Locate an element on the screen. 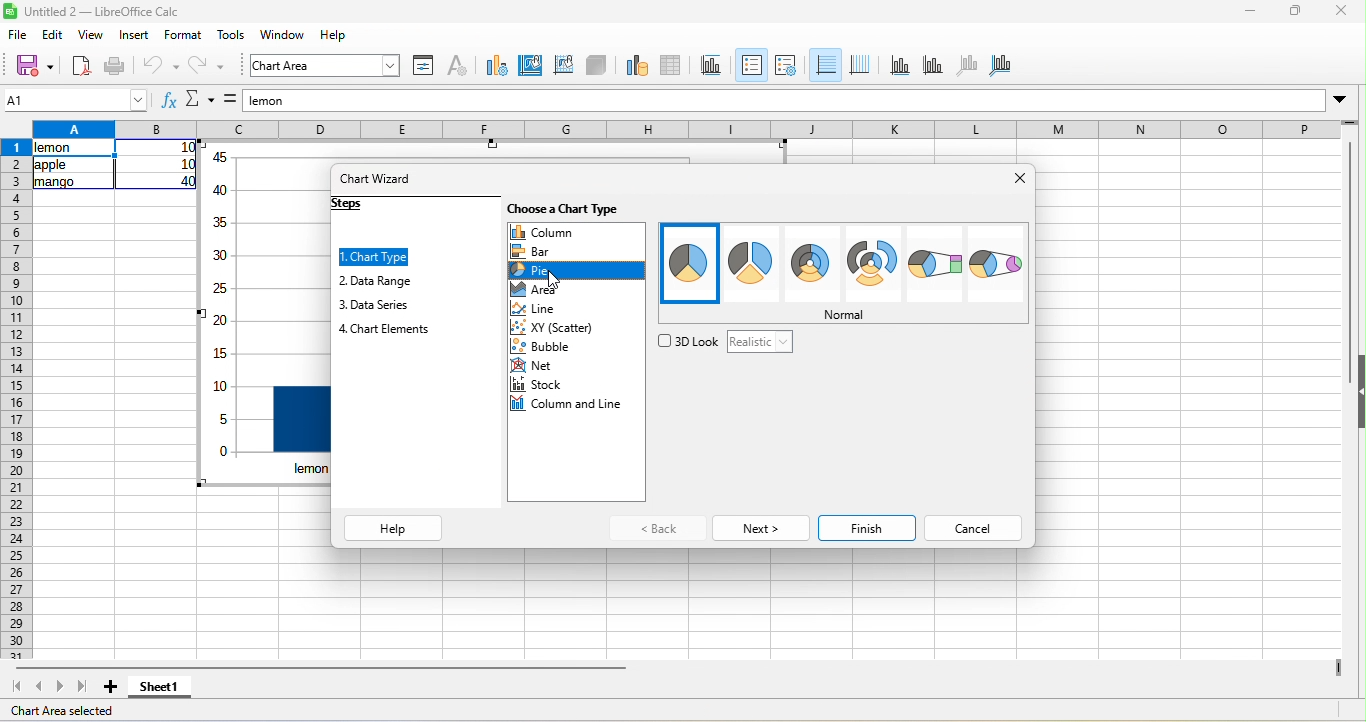 This screenshot has height=722, width=1366. Z axis is located at coordinates (971, 68).